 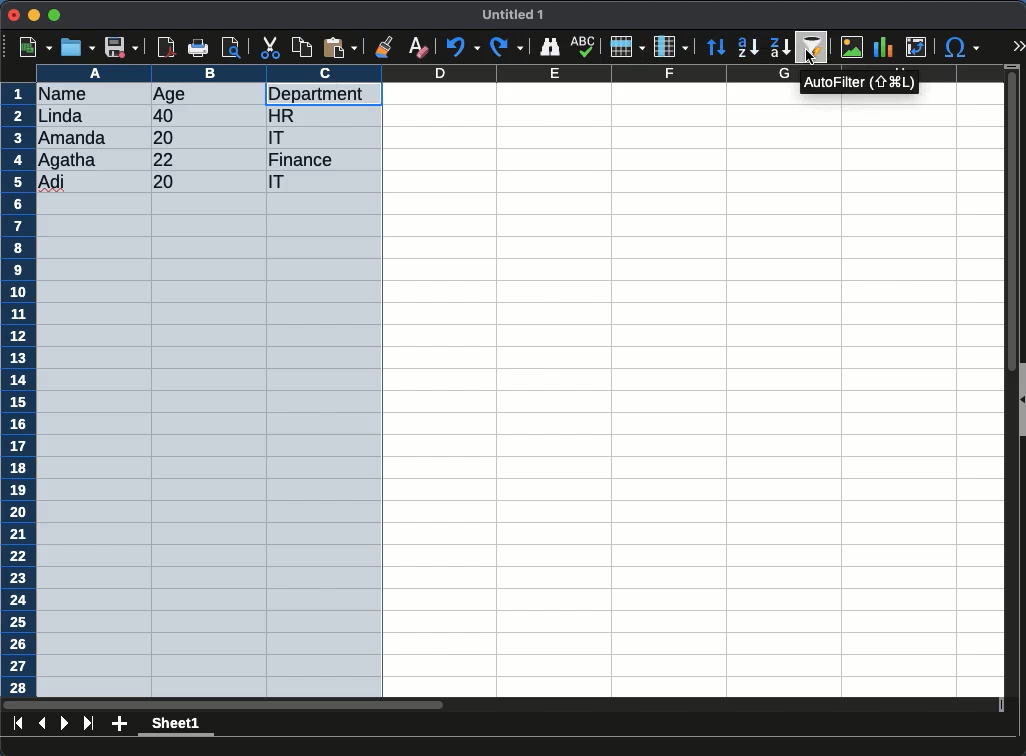 I want to click on special character, so click(x=961, y=47).